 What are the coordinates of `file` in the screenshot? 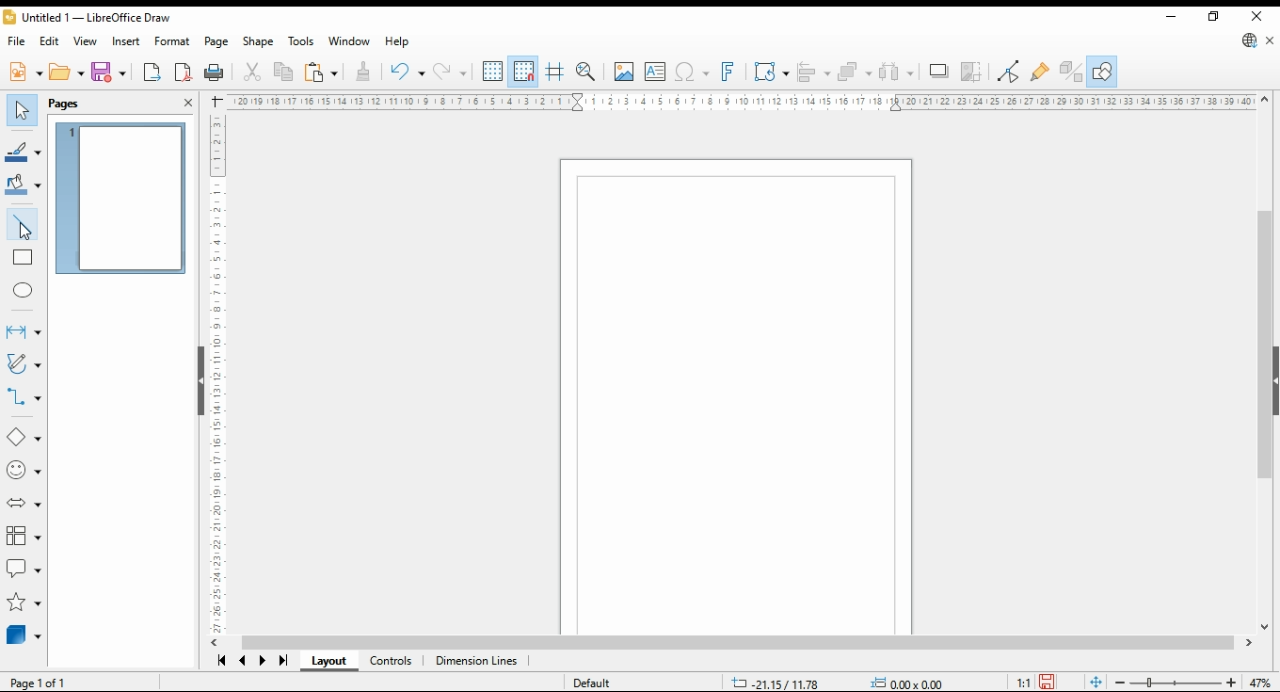 It's located at (18, 41).